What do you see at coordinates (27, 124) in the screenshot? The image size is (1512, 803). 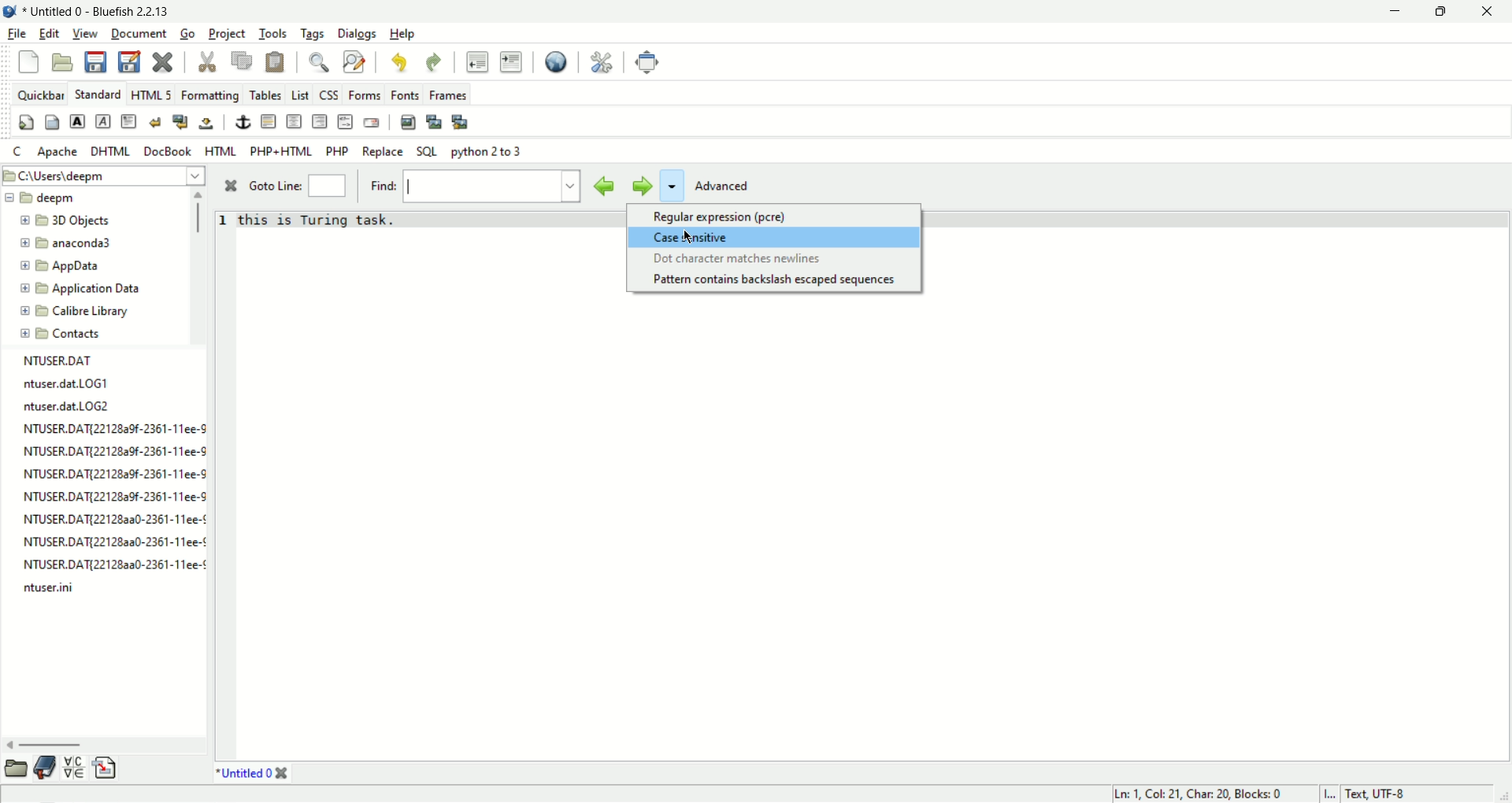 I see `quick settings` at bounding box center [27, 124].